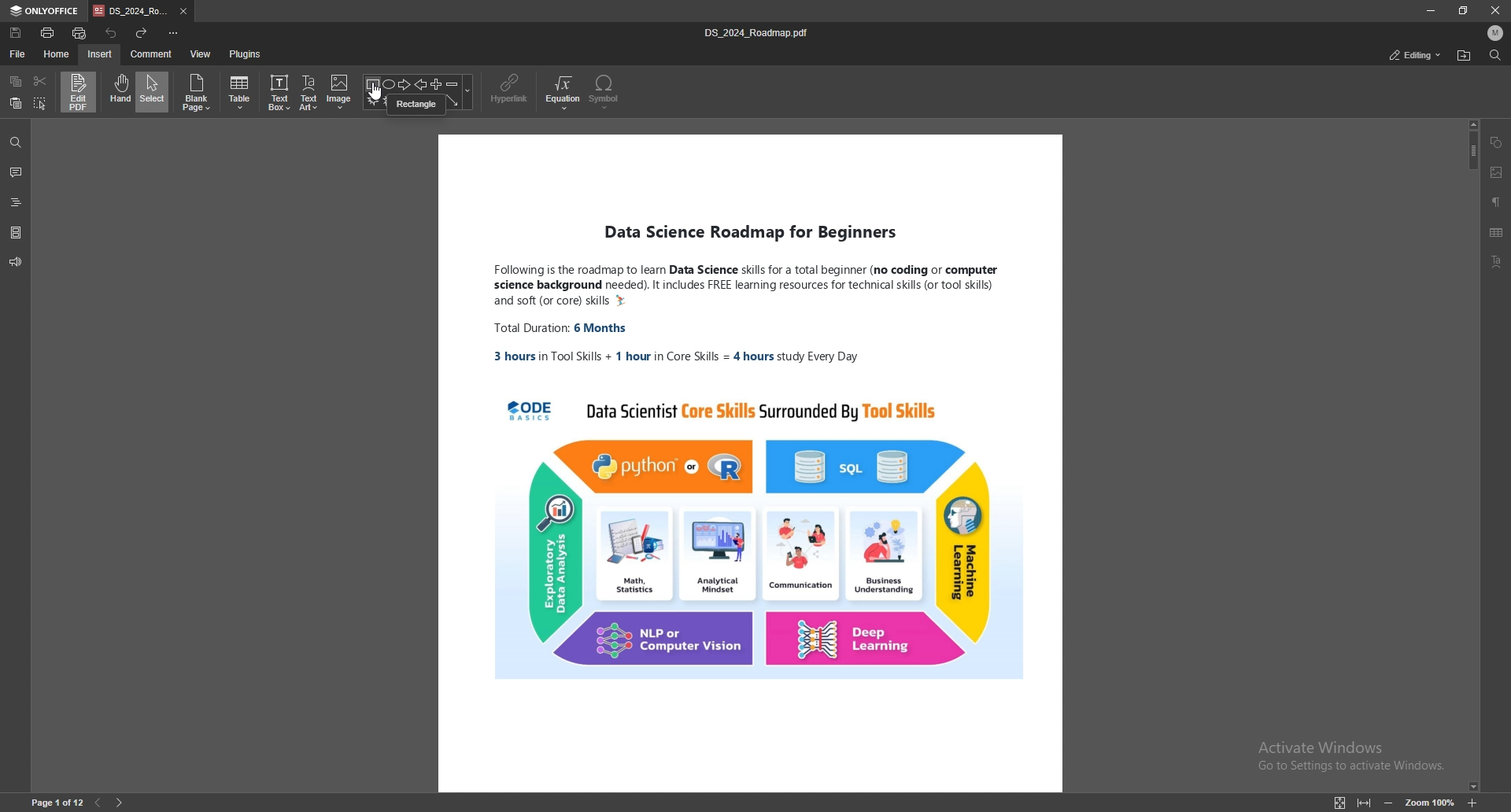  What do you see at coordinates (1472, 804) in the screenshot?
I see `zoom in` at bounding box center [1472, 804].